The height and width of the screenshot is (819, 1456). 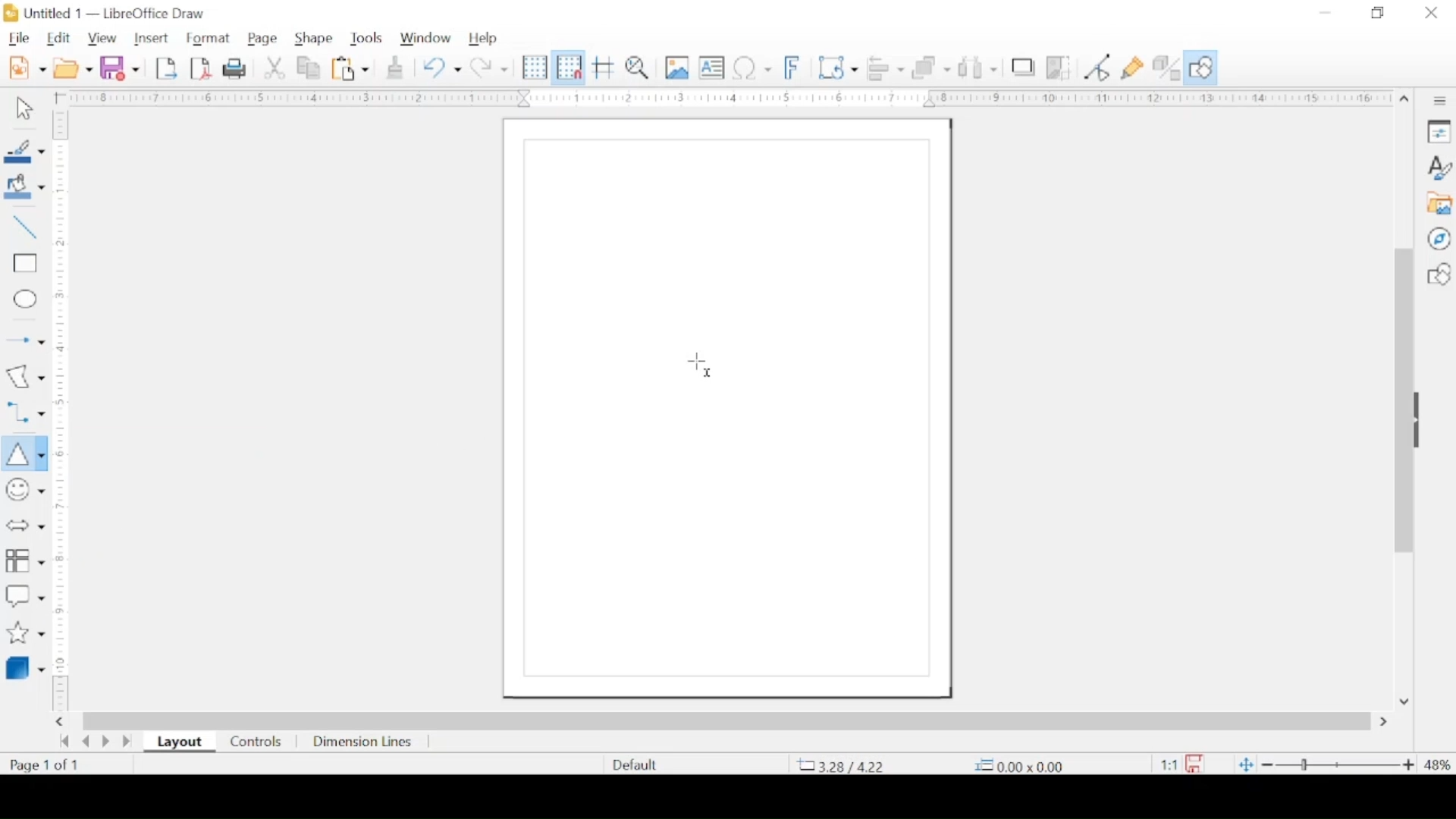 I want to click on help, so click(x=485, y=39).